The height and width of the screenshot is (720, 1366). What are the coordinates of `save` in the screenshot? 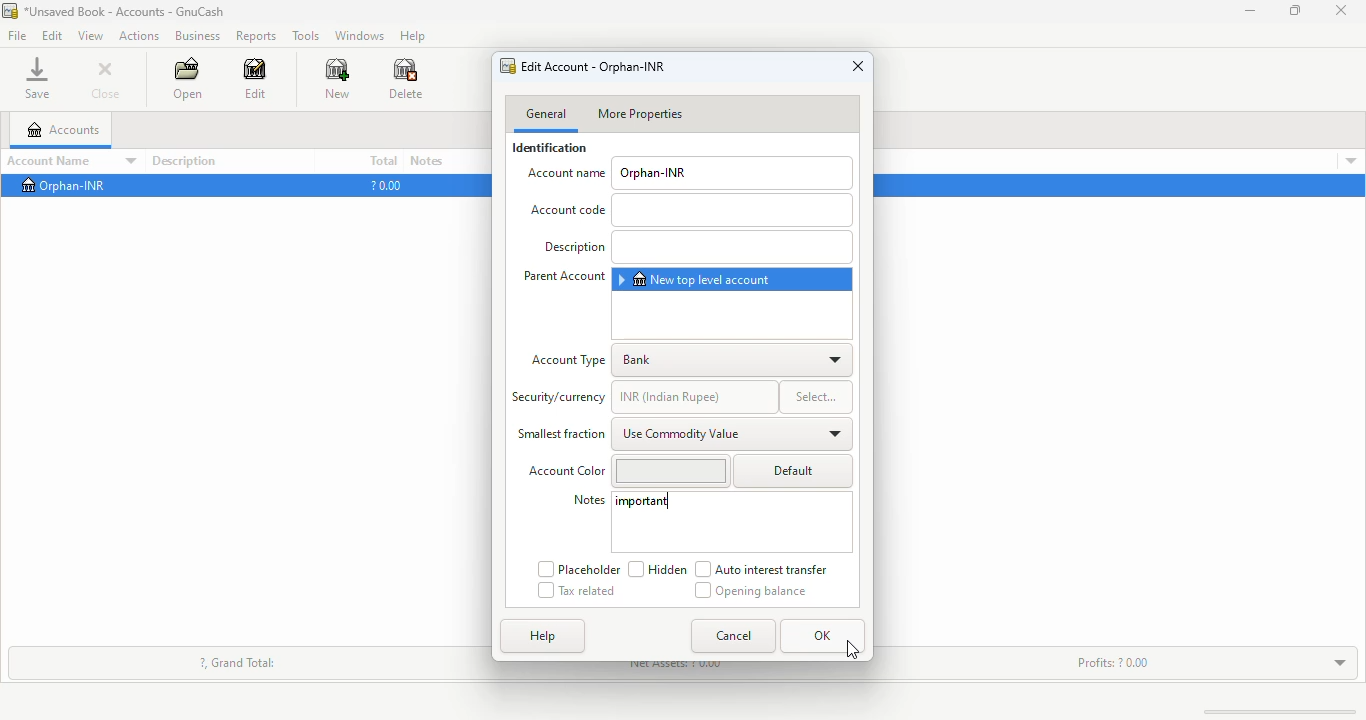 It's located at (38, 78).